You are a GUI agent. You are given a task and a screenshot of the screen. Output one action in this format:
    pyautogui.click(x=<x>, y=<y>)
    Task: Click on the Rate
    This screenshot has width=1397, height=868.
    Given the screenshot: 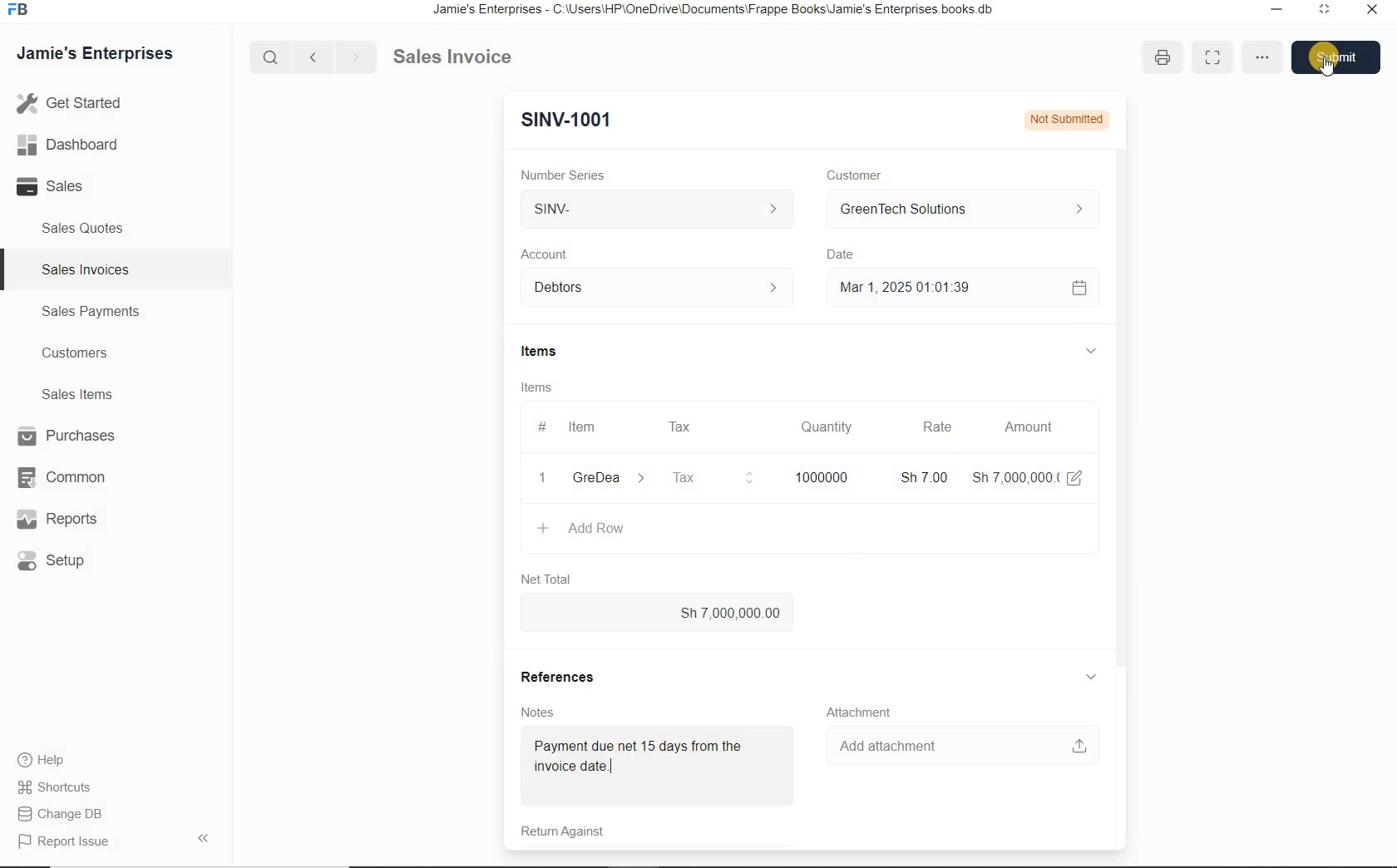 What is the action you would take?
    pyautogui.click(x=937, y=428)
    